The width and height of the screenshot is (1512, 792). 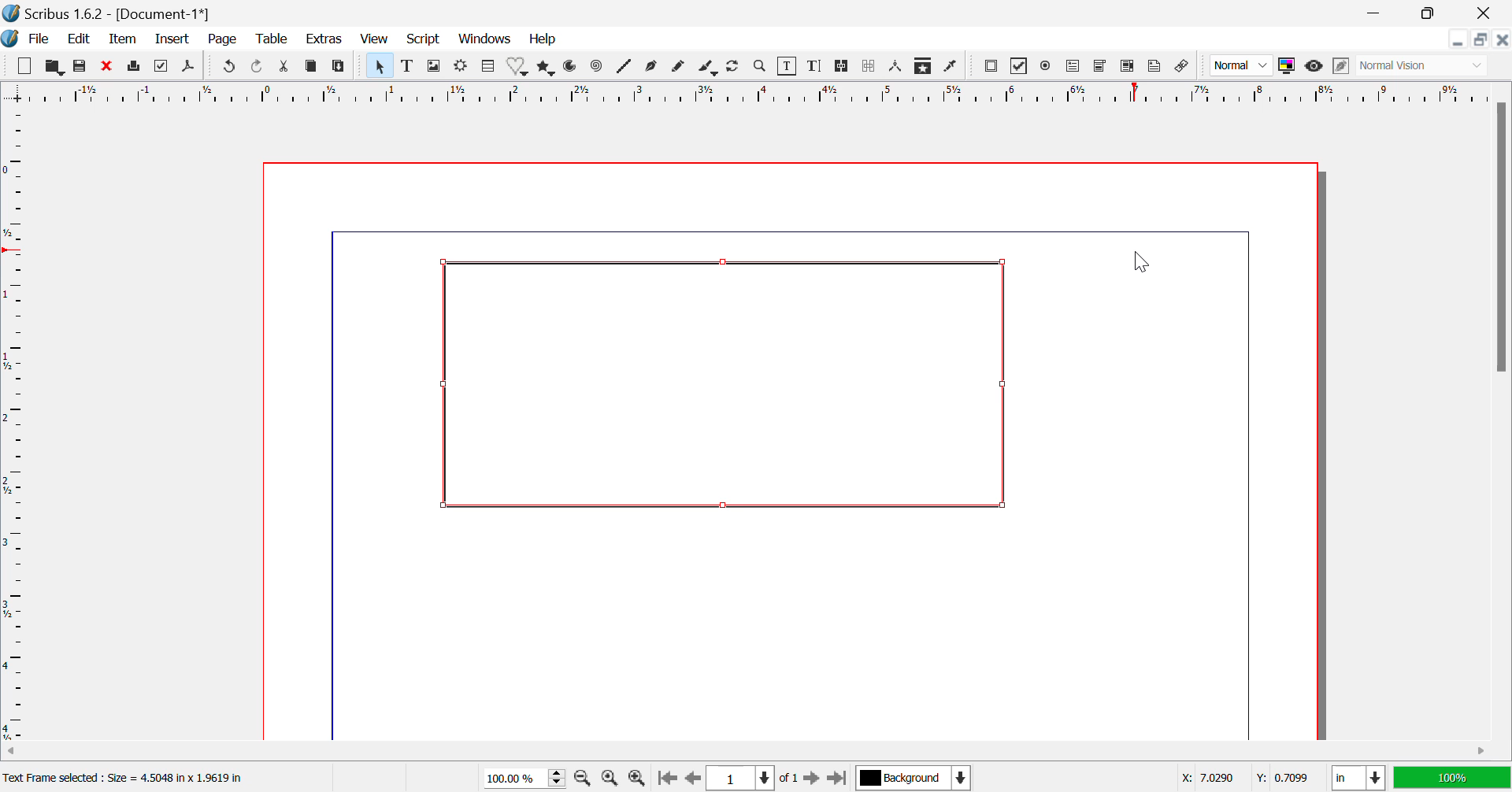 What do you see at coordinates (323, 39) in the screenshot?
I see `Extras` at bounding box center [323, 39].